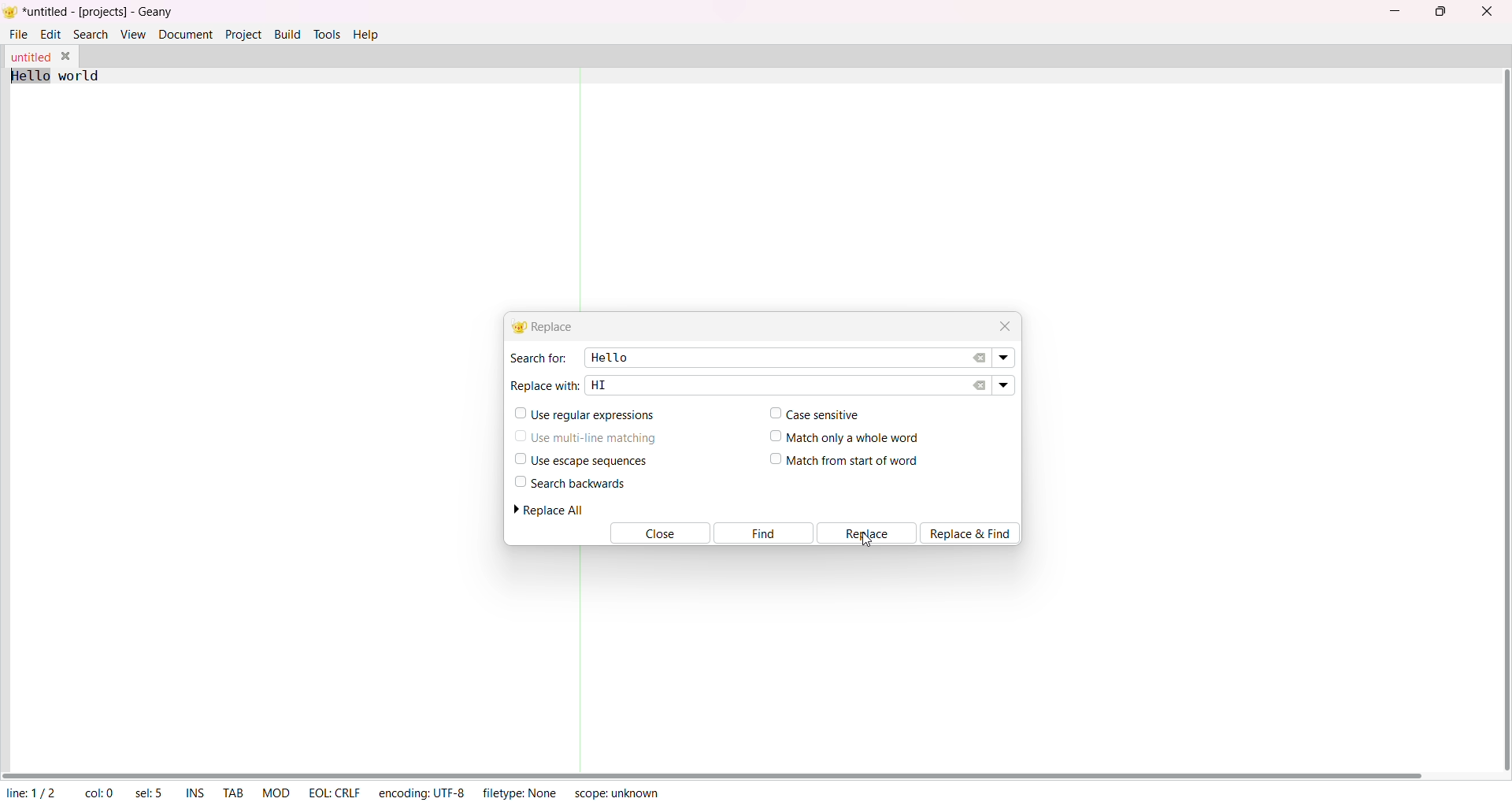  I want to click on find, so click(763, 533).